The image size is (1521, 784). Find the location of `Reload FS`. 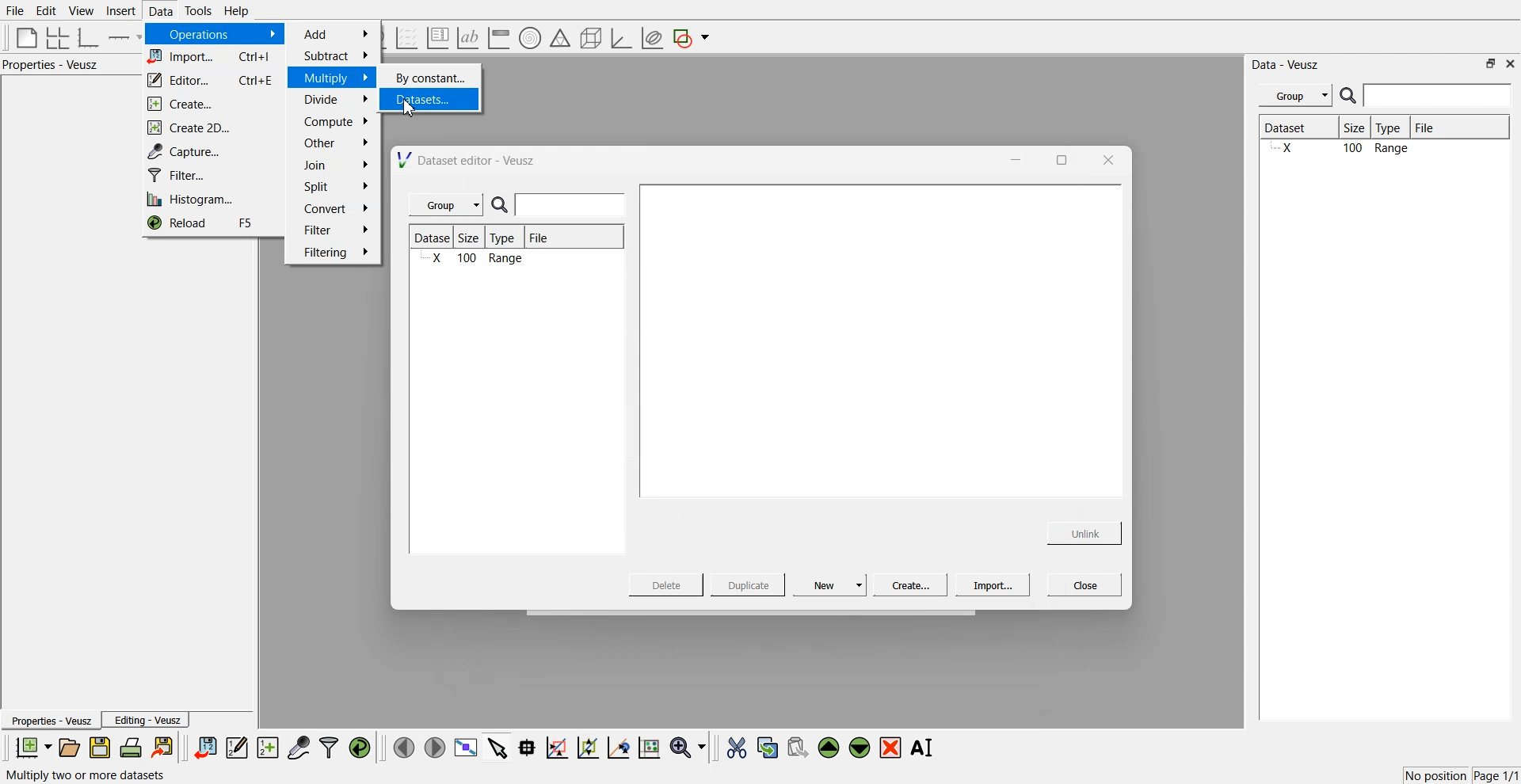

Reload FS is located at coordinates (211, 225).